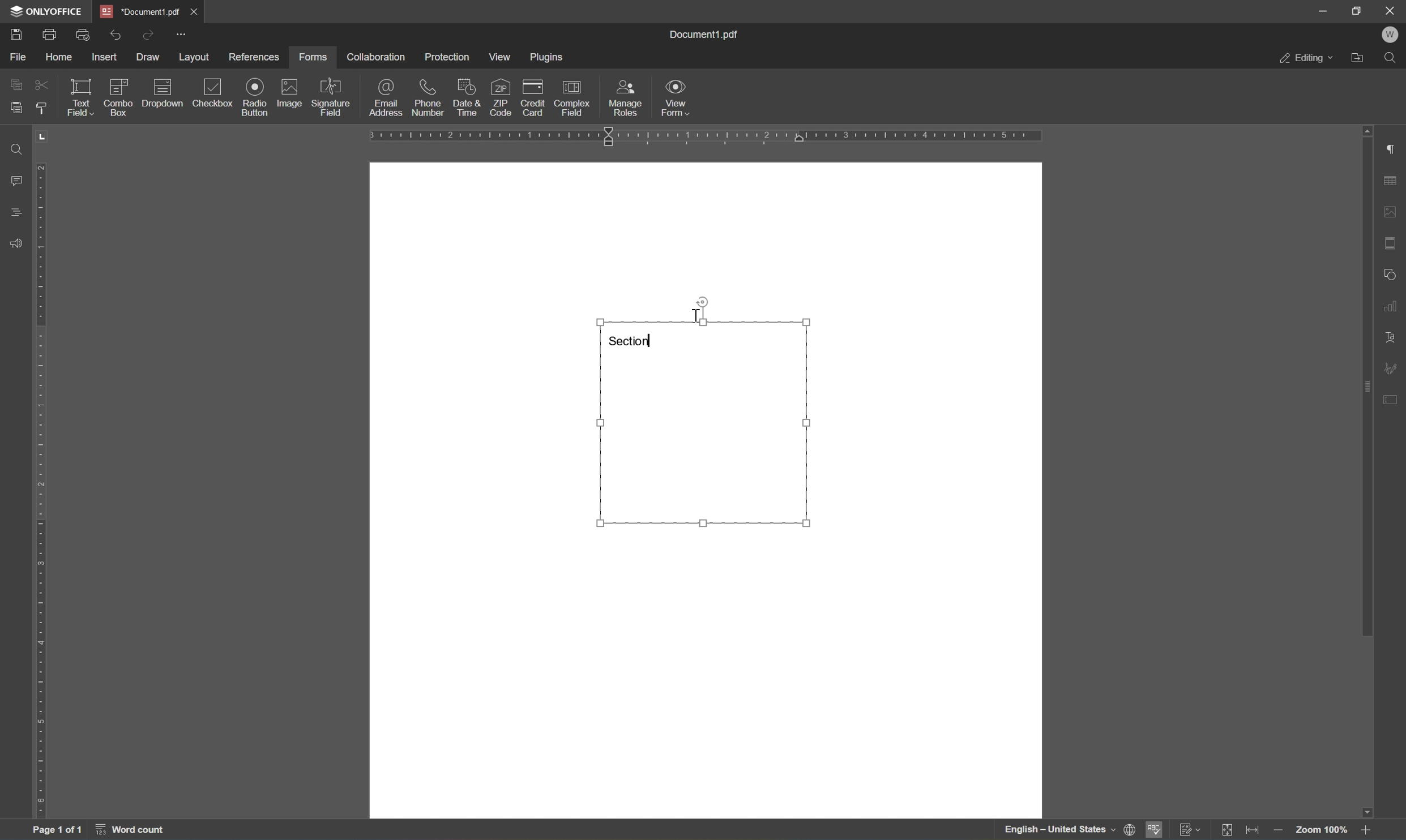 This screenshot has width=1406, height=840. What do you see at coordinates (183, 33) in the screenshot?
I see `customize quick access toolbar` at bounding box center [183, 33].